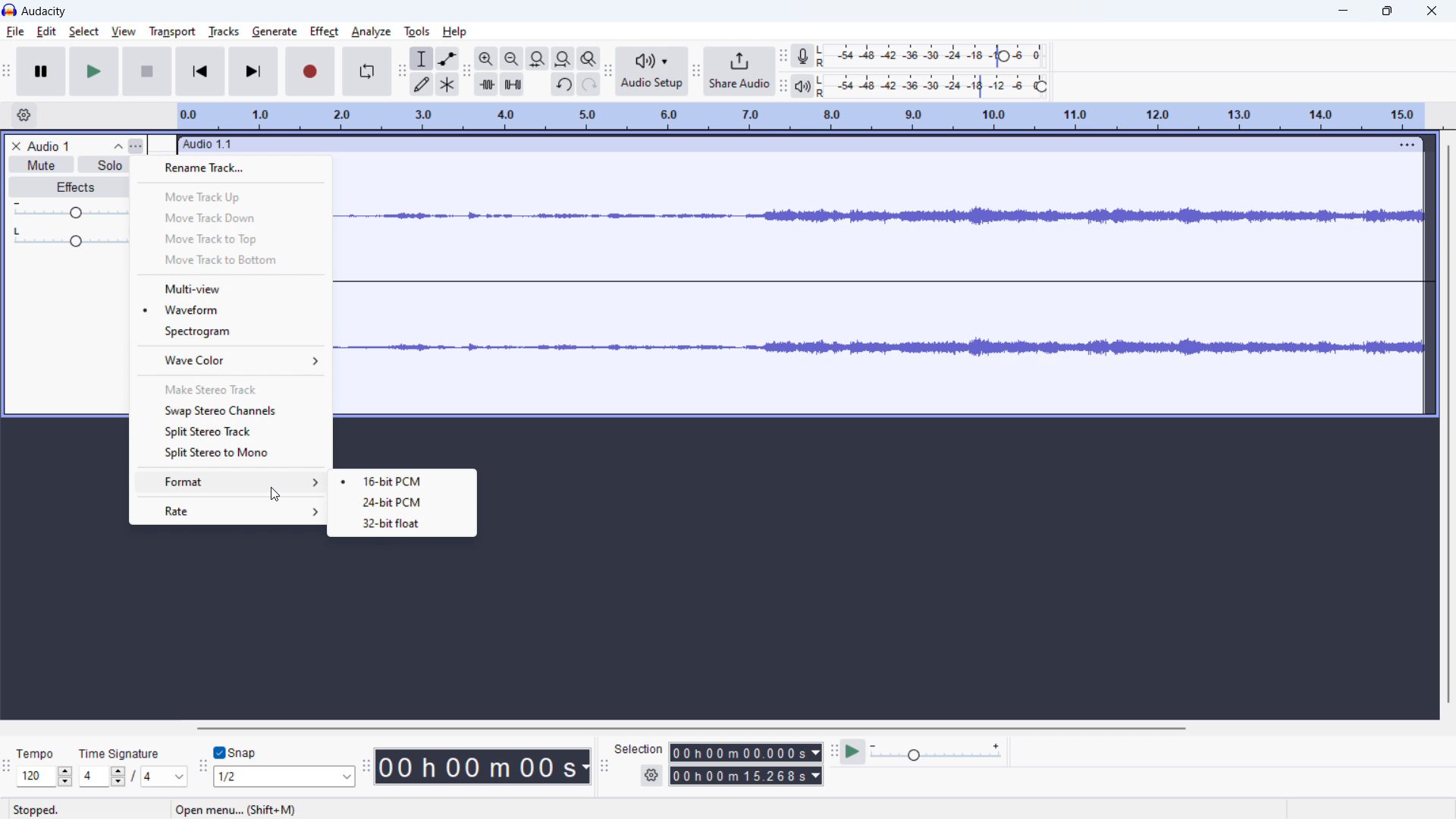  I want to click on edit toolbar, so click(466, 71).